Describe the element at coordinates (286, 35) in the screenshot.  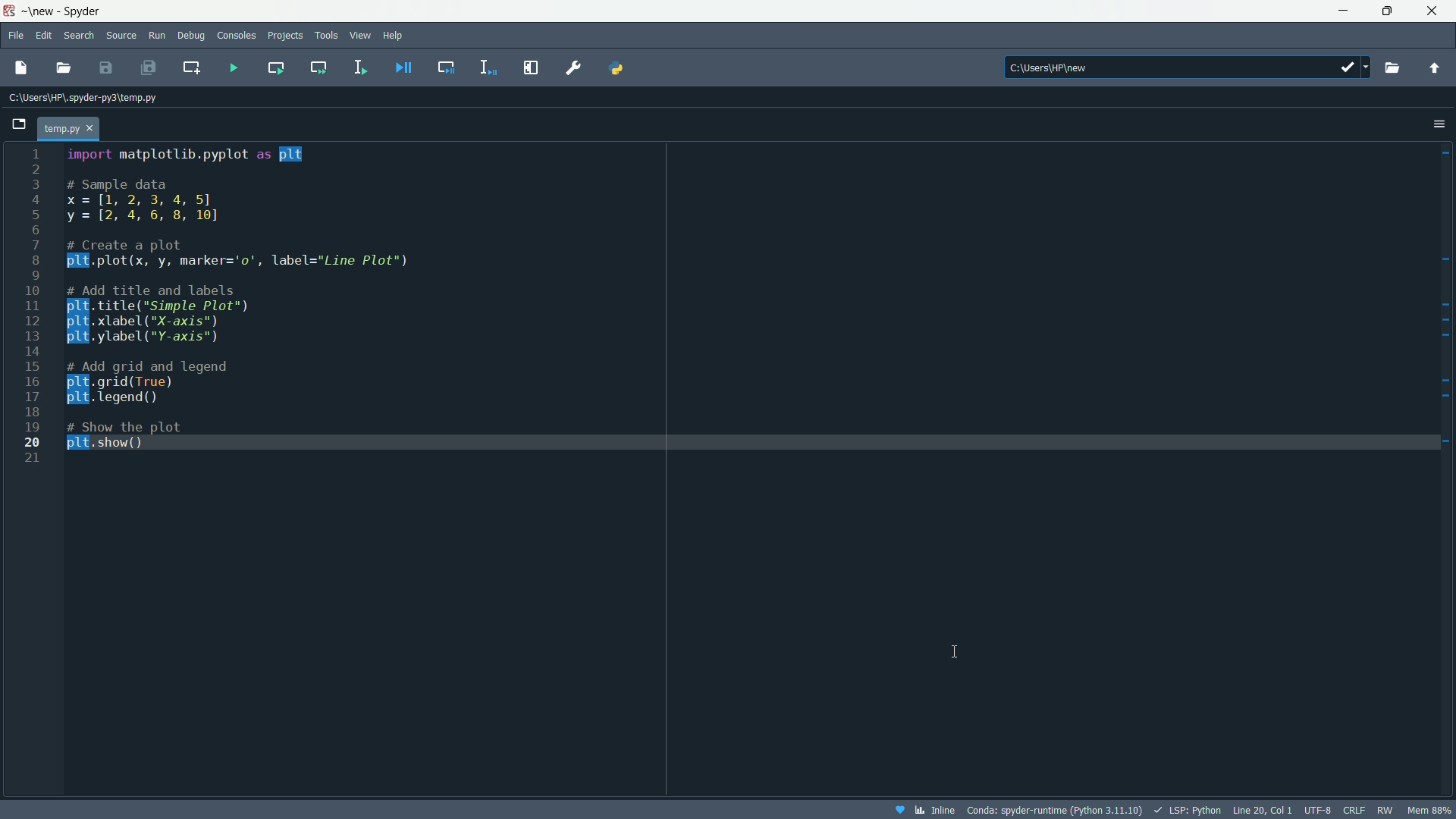
I see `projects` at that location.